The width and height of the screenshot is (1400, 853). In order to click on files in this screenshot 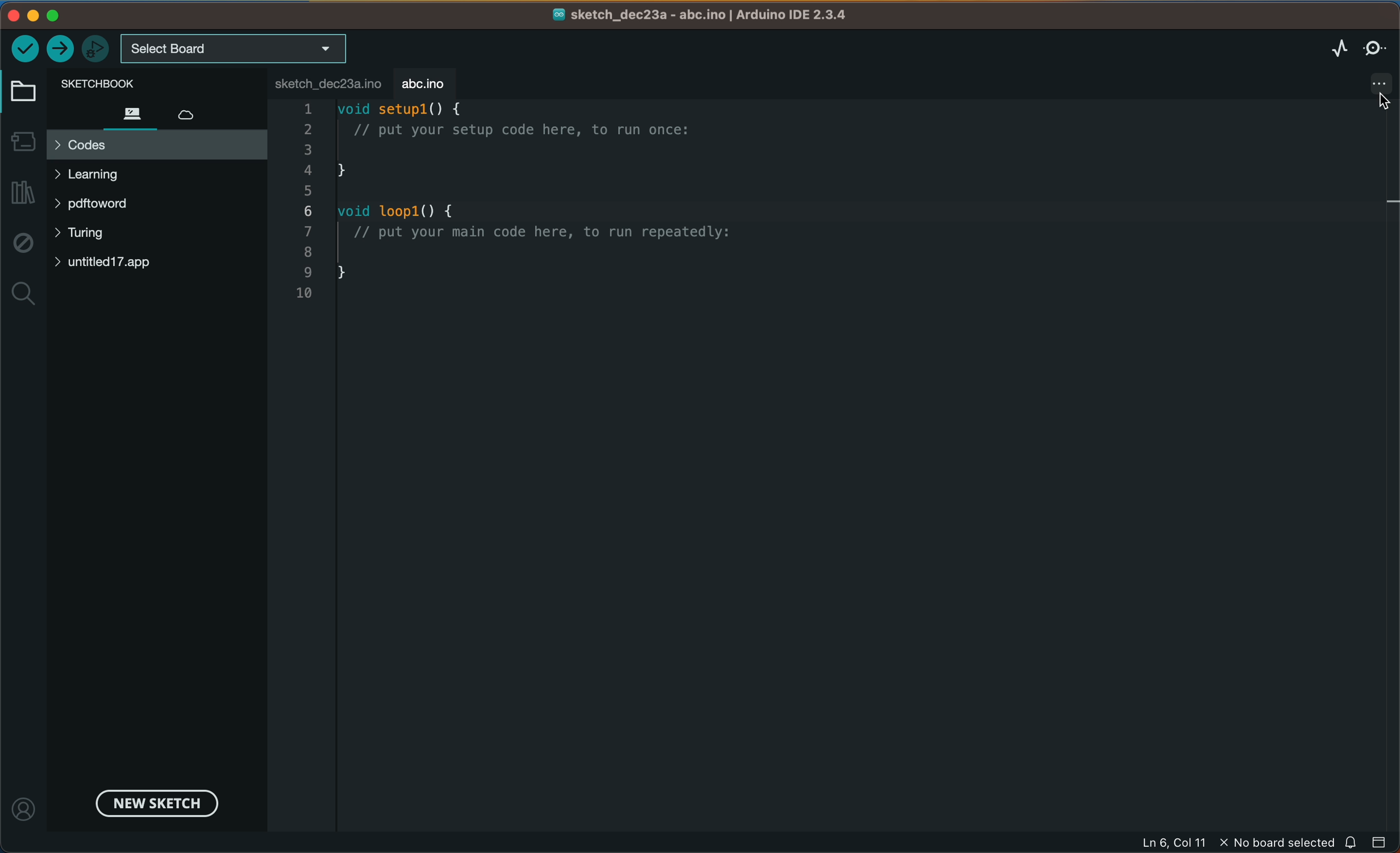, I will do `click(130, 112)`.